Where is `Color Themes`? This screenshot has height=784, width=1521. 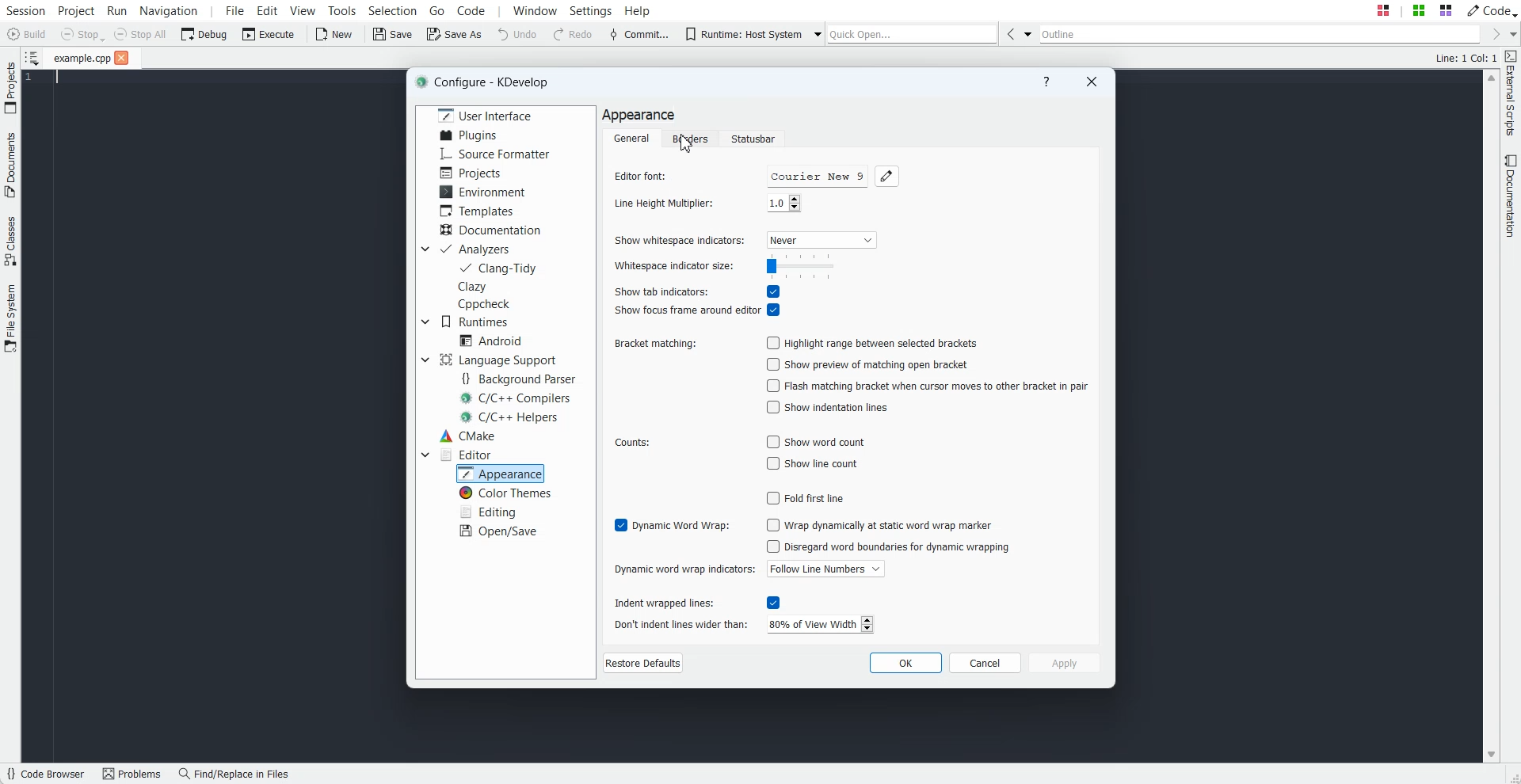
Color Themes is located at coordinates (503, 493).